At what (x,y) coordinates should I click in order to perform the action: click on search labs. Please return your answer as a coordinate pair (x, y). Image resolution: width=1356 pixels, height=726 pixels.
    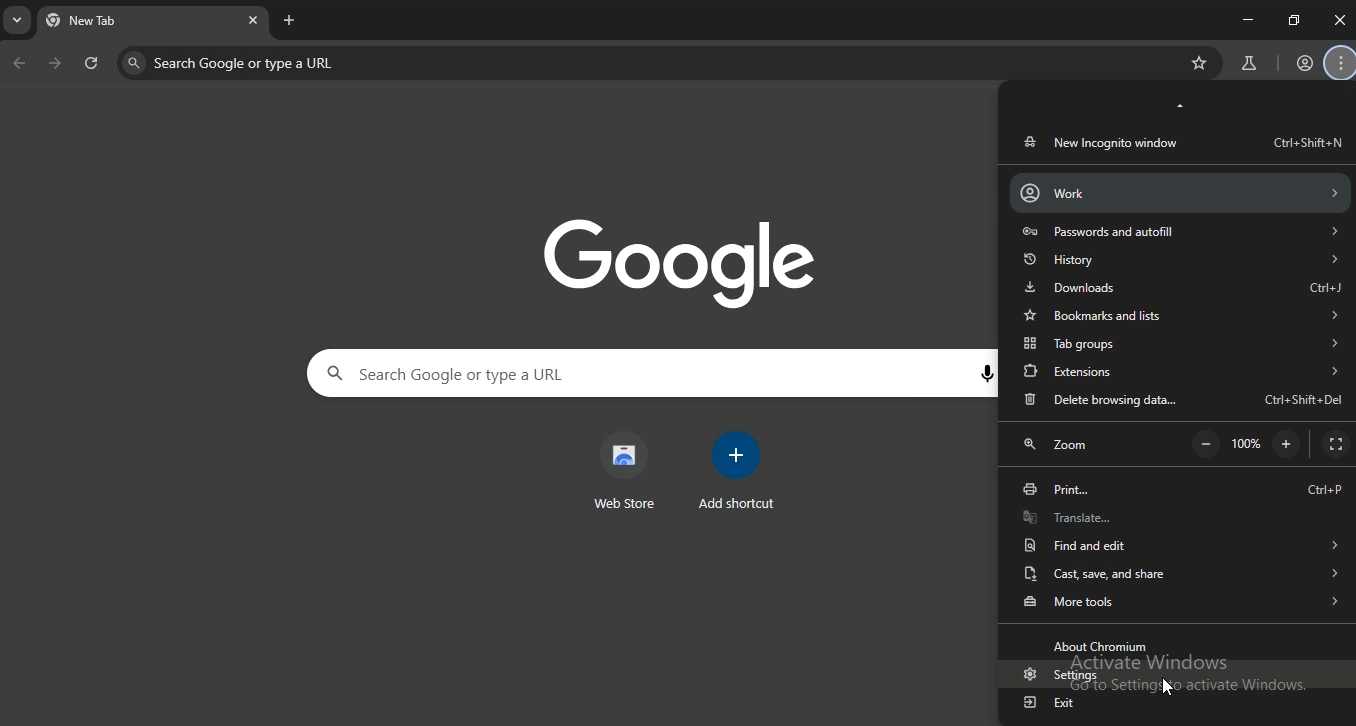
    Looking at the image, I should click on (1246, 64).